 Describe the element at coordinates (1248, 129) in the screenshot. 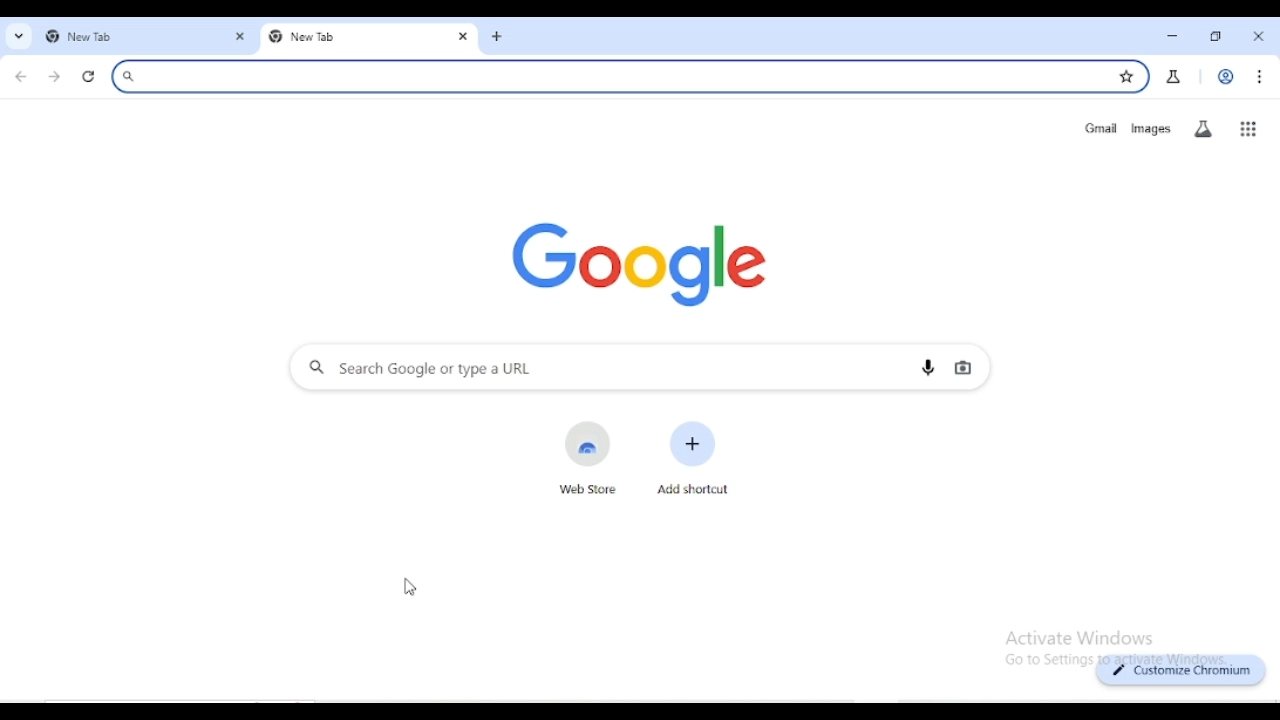

I see `google apps` at that location.